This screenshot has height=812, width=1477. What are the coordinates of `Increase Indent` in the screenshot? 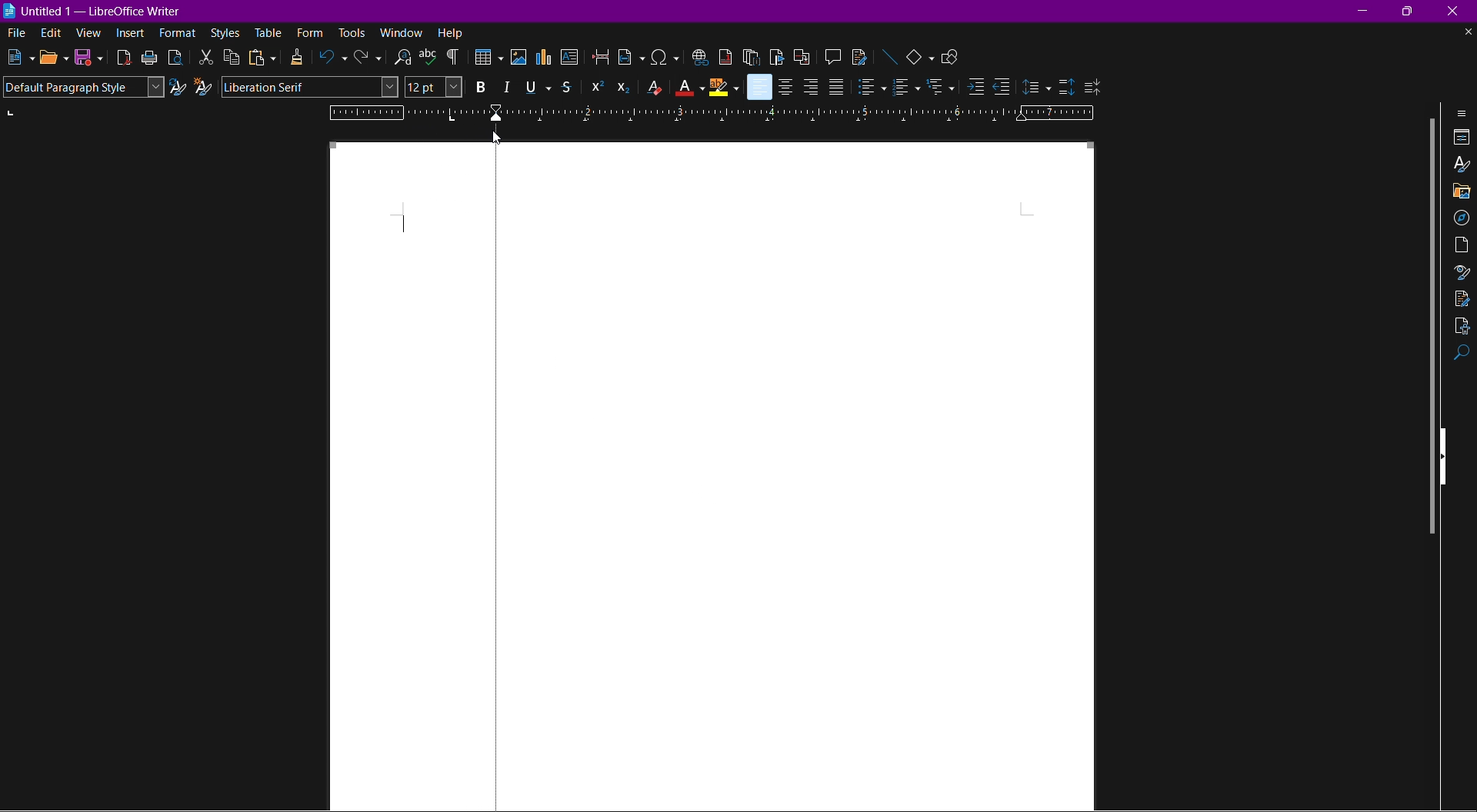 It's located at (972, 88).